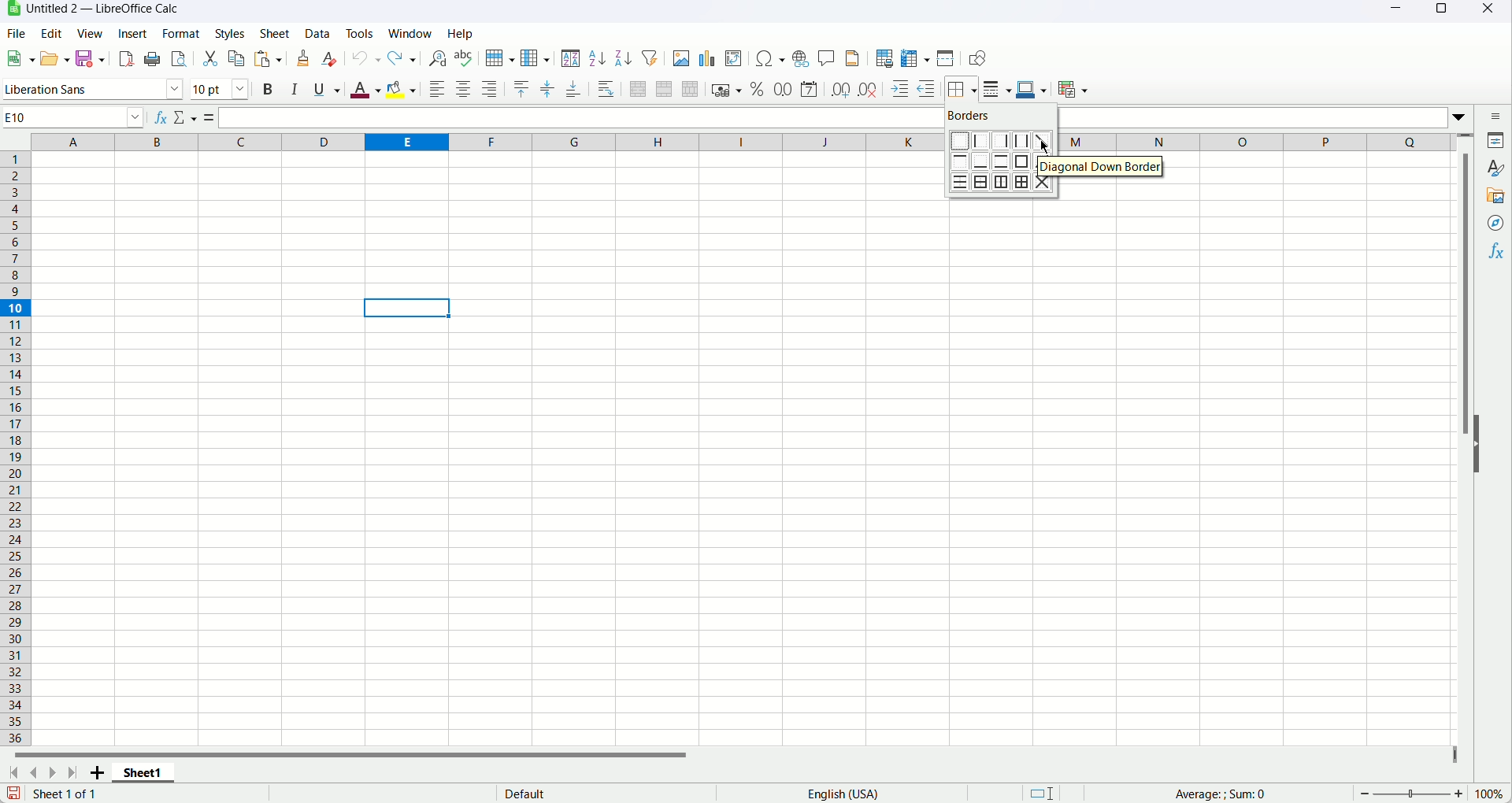 This screenshot has height=803, width=1512. Describe the element at coordinates (1024, 161) in the screenshot. I see `Outer border` at that location.